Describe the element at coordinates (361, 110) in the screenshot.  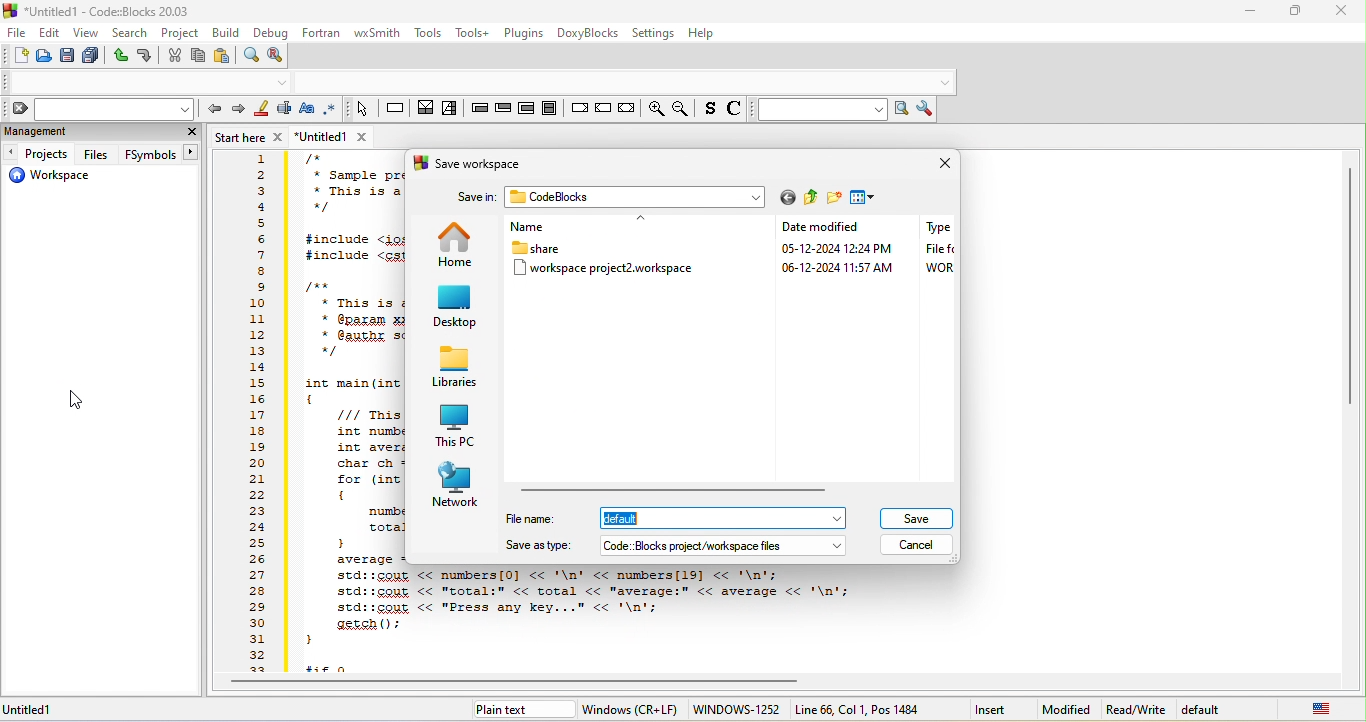
I see `select` at that location.